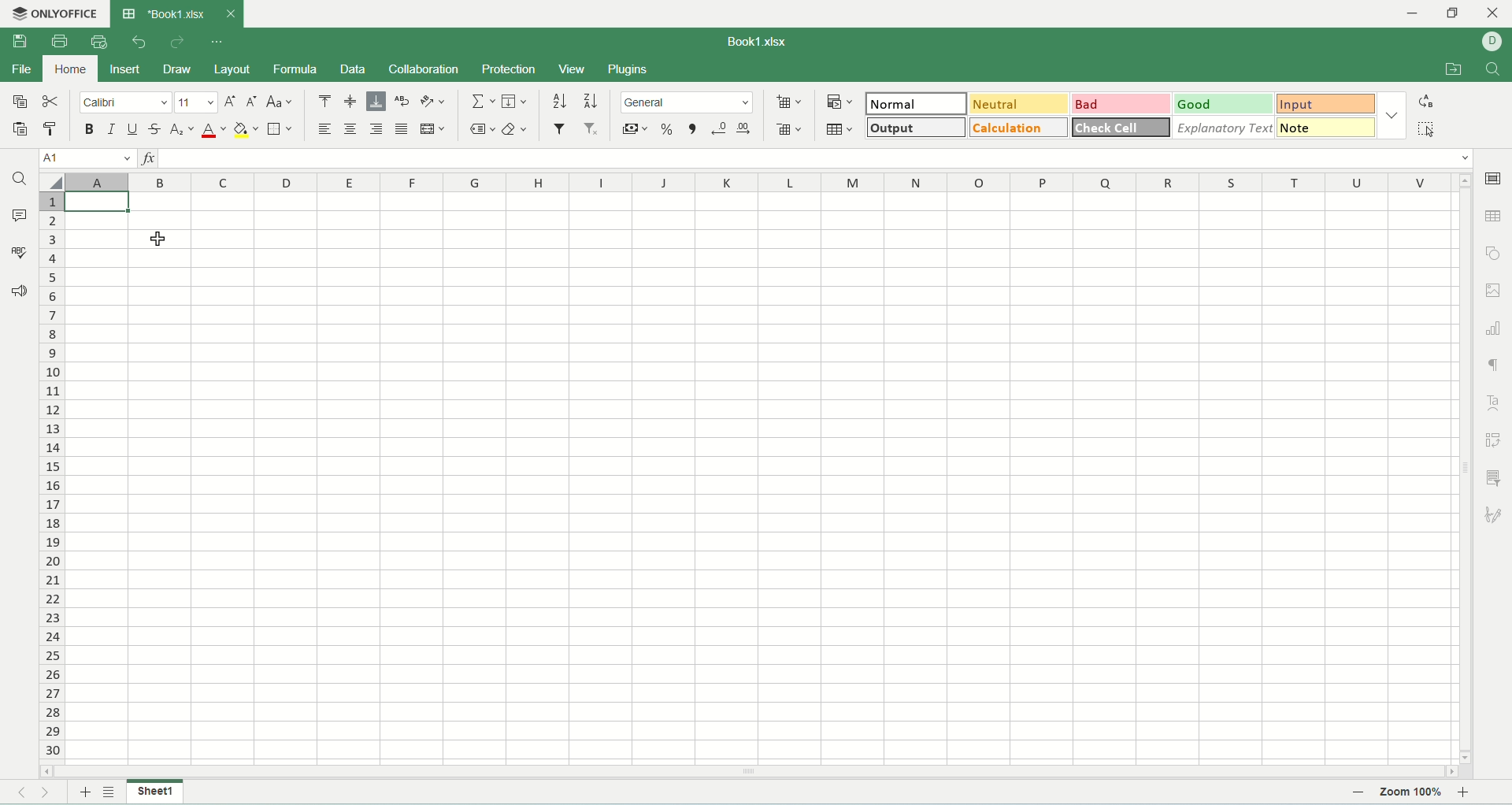 This screenshot has height=805, width=1512. What do you see at coordinates (405, 101) in the screenshot?
I see `wrap text` at bounding box center [405, 101].